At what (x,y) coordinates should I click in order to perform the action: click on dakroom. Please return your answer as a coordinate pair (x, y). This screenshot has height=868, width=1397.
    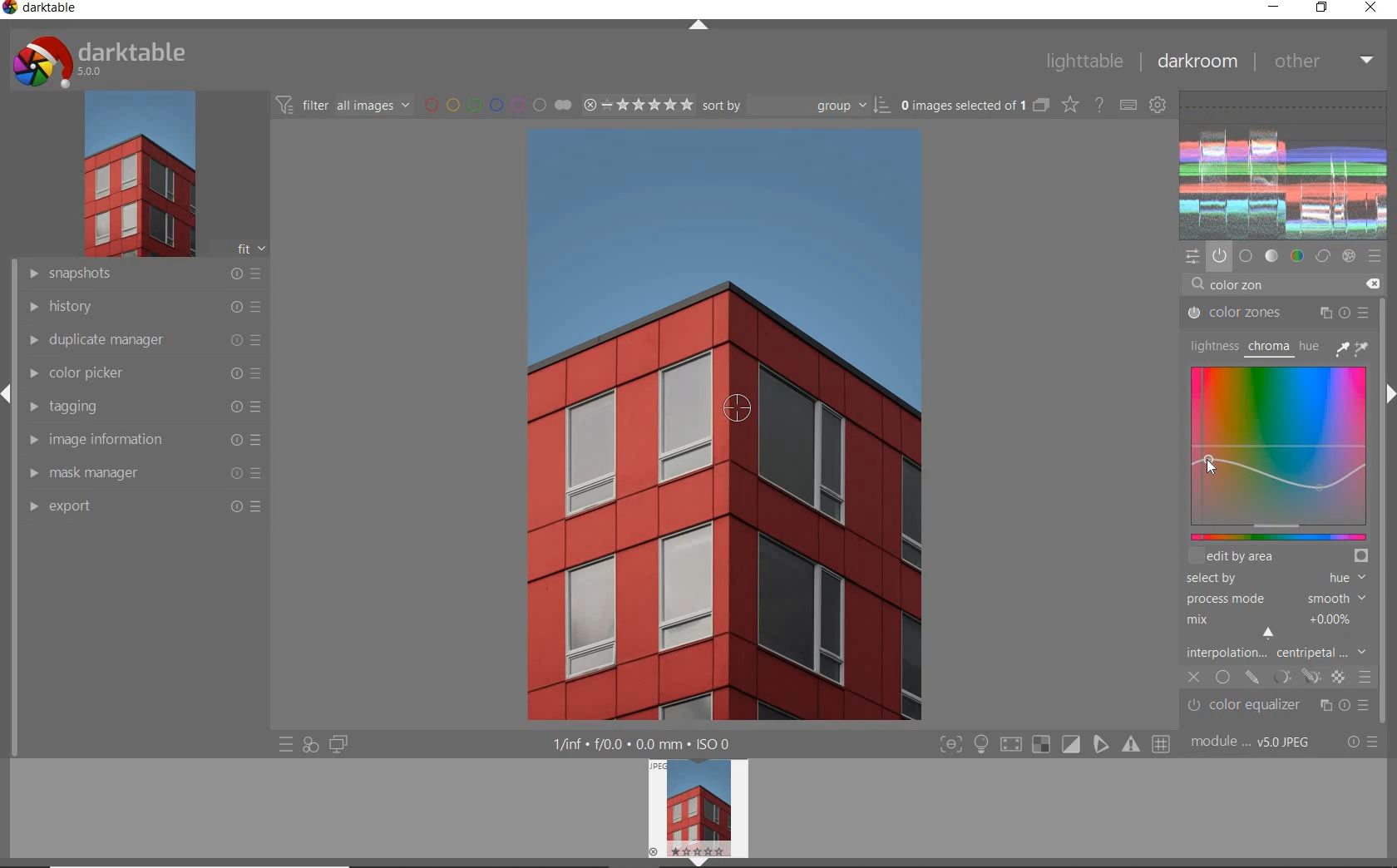
    Looking at the image, I should click on (1196, 61).